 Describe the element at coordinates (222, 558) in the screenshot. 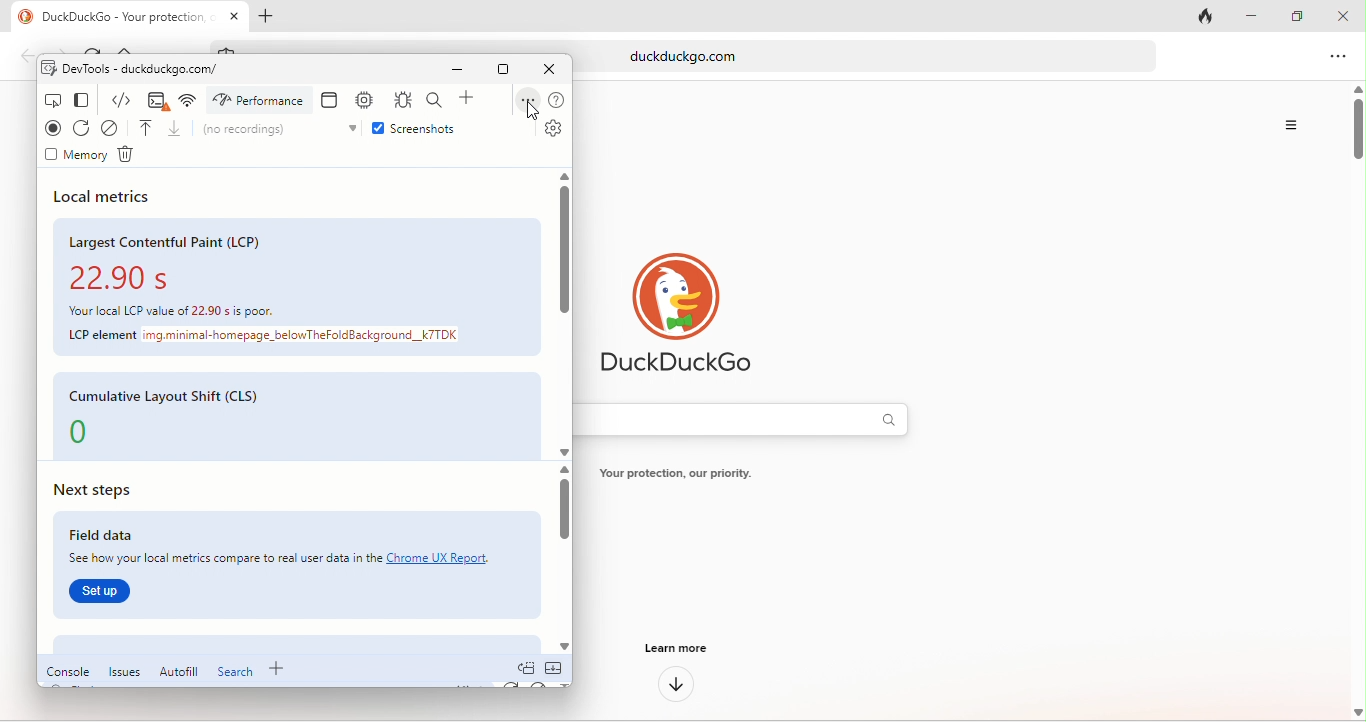

I see `See how your local metrics compare to real user data in the` at that location.